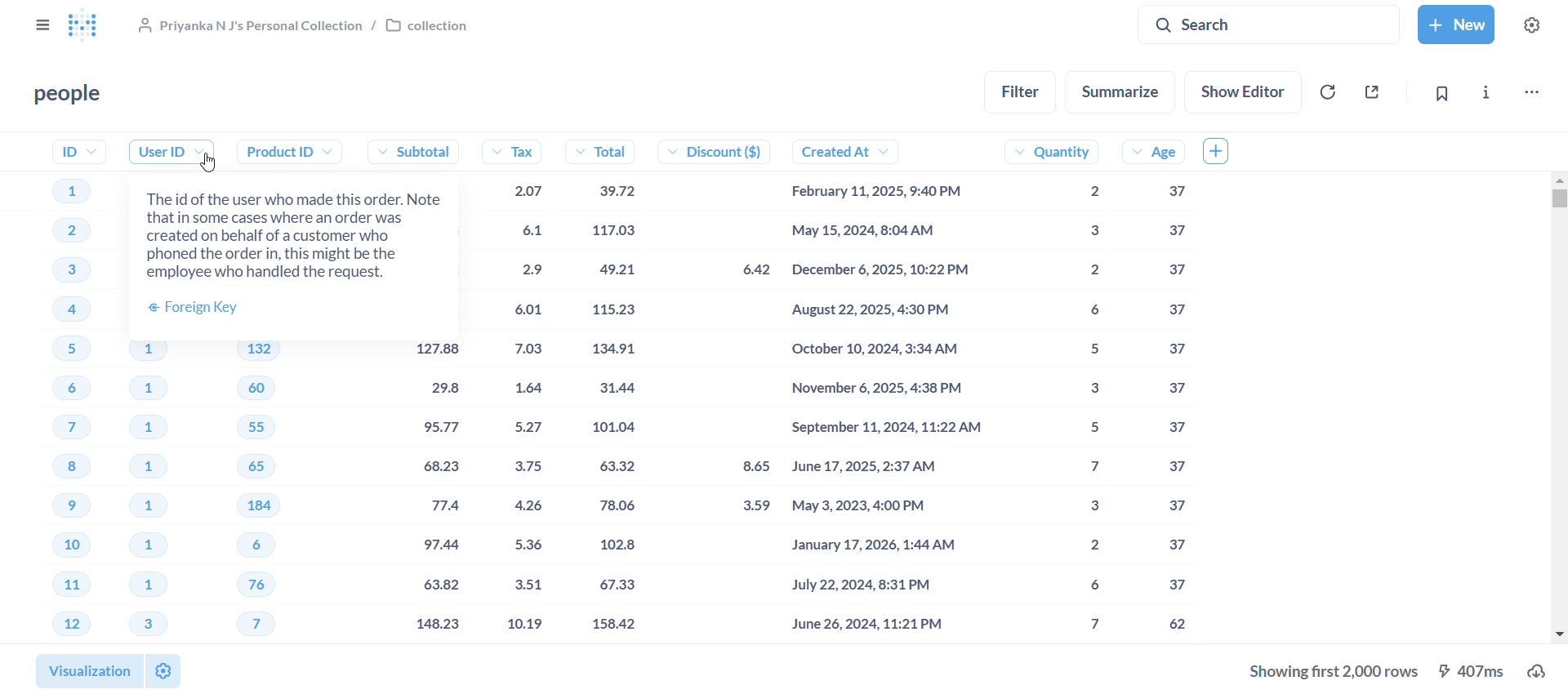 The width and height of the screenshot is (1568, 694). I want to click on vertical scroll bar, so click(1558, 412).